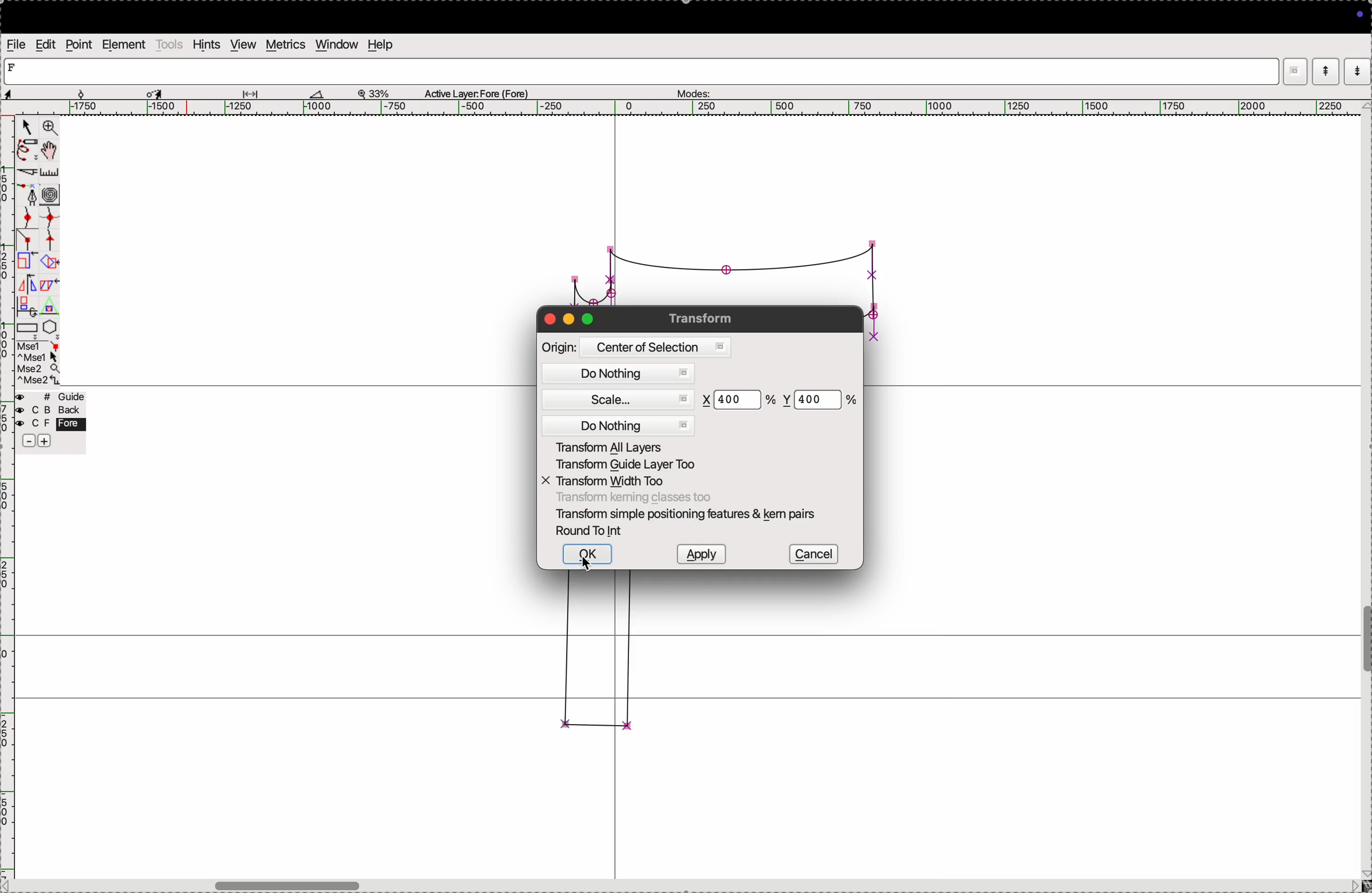 Image resolution: width=1372 pixels, height=893 pixels. I want to click on cancel, so click(813, 553).